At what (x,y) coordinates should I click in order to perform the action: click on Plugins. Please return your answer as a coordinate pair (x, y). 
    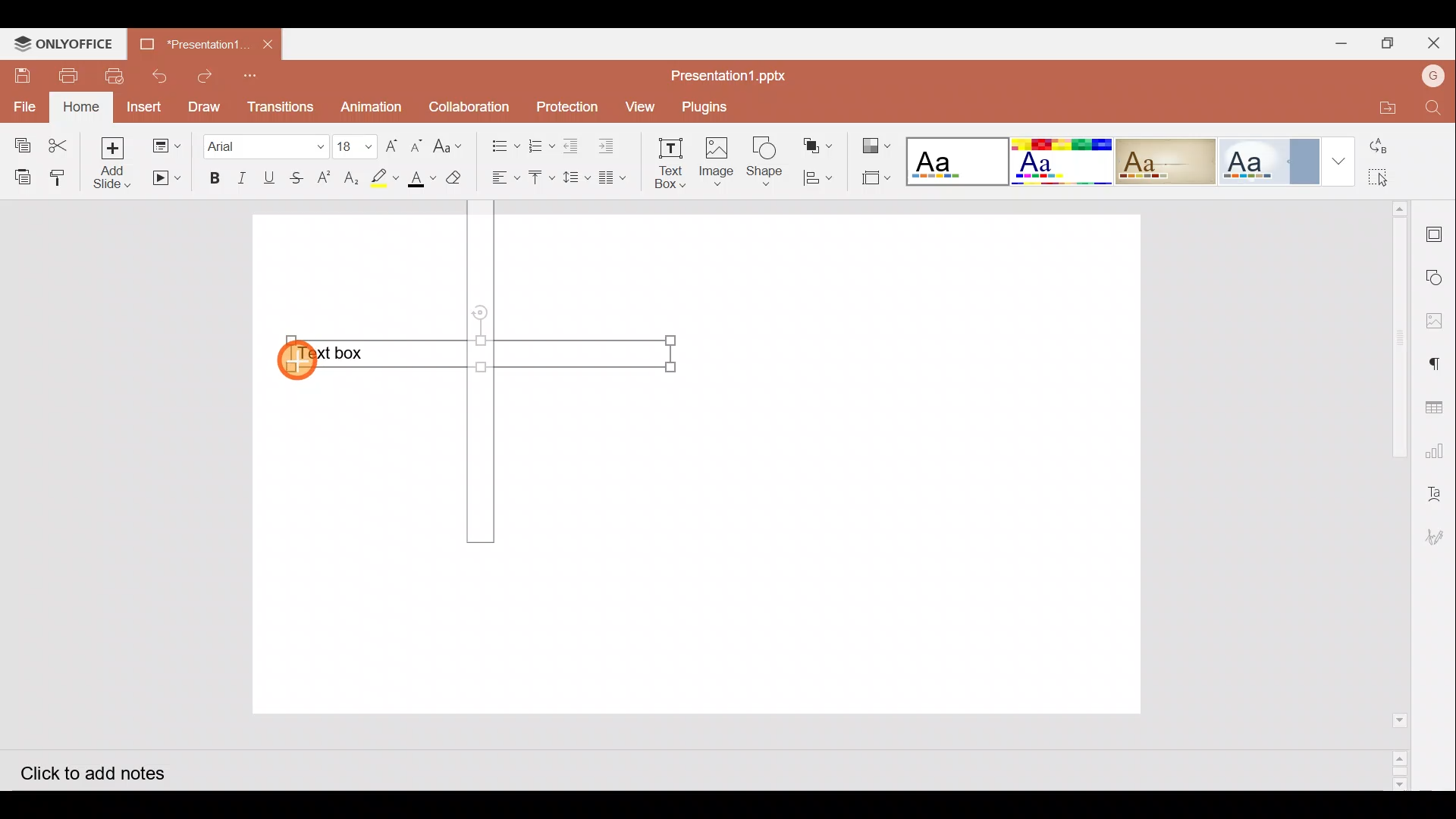
    Looking at the image, I should click on (707, 105).